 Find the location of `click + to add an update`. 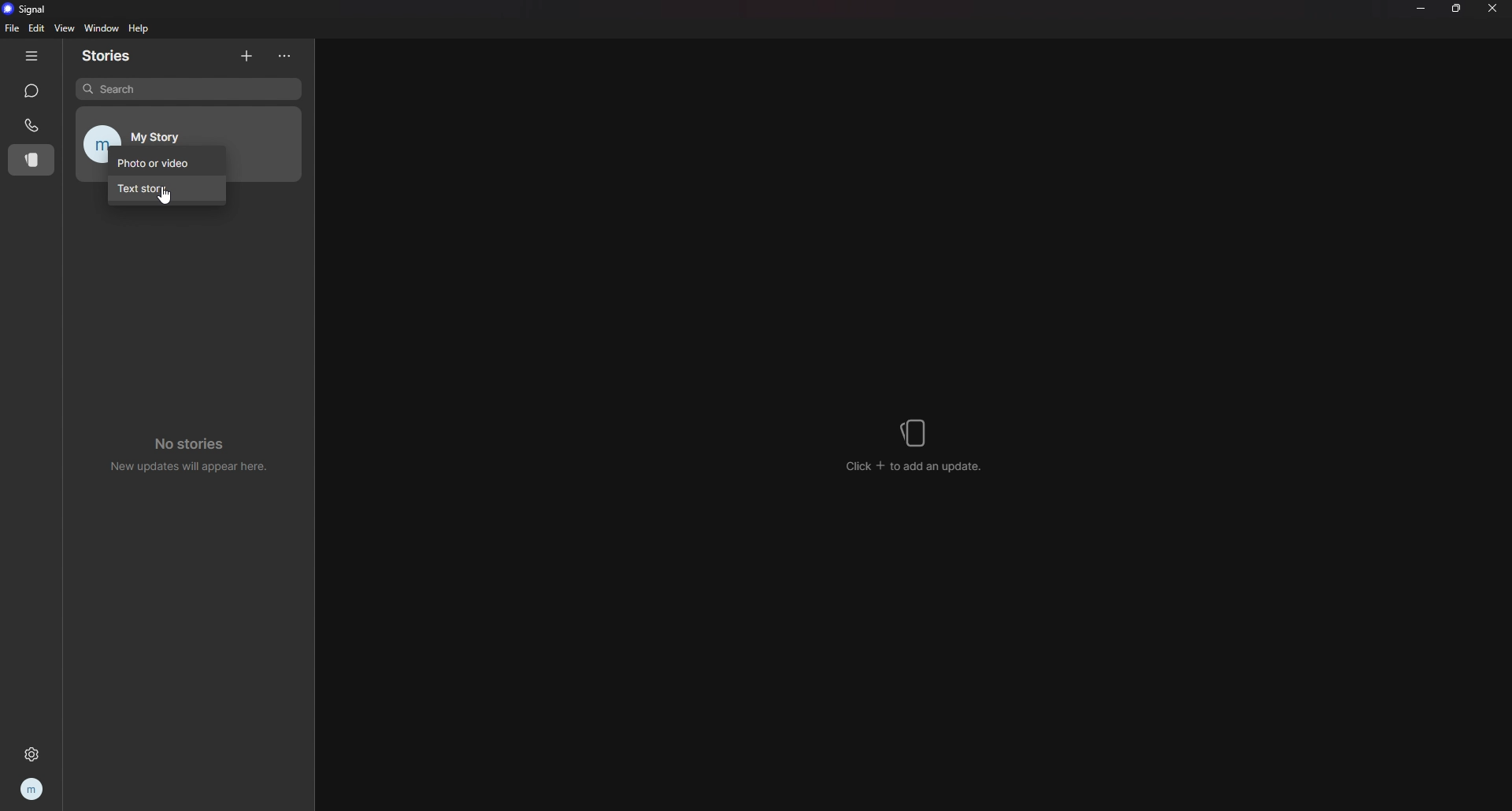

click + to add an update is located at coordinates (917, 446).